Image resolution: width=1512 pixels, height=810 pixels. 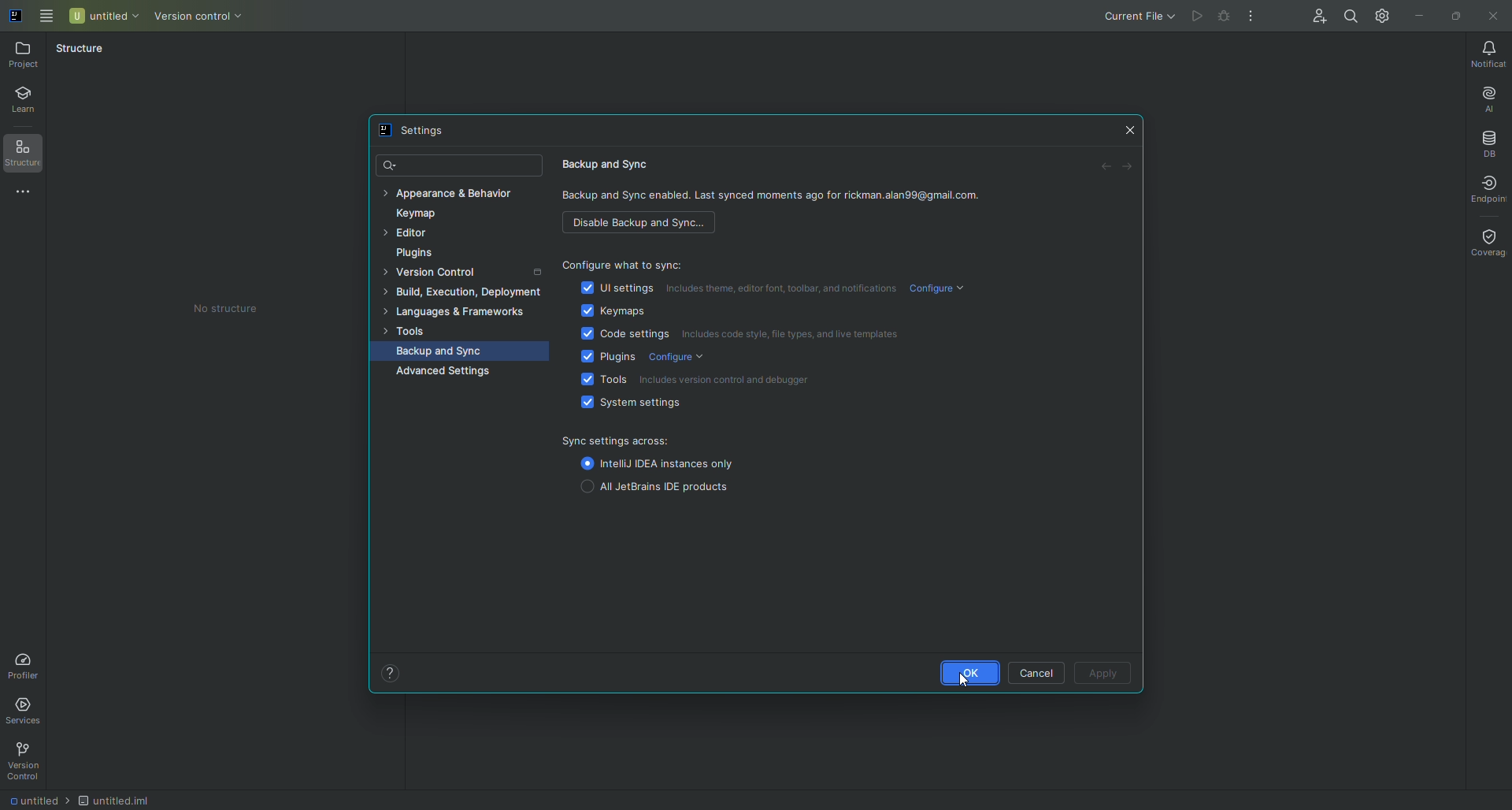 What do you see at coordinates (47, 14) in the screenshot?
I see `Main Menu` at bounding box center [47, 14].